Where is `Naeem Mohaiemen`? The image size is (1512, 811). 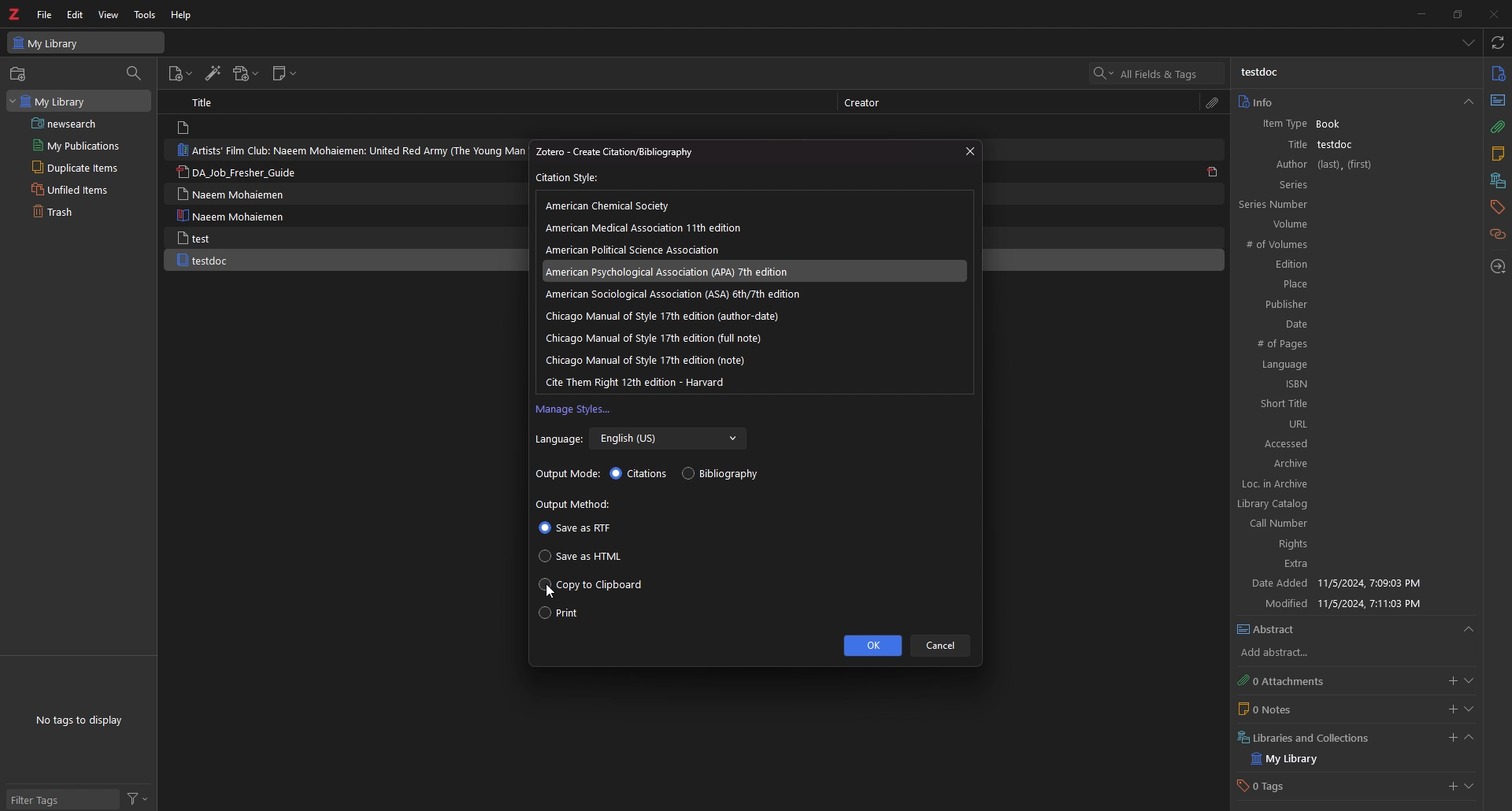
Naeem Mohaiemen is located at coordinates (235, 216).